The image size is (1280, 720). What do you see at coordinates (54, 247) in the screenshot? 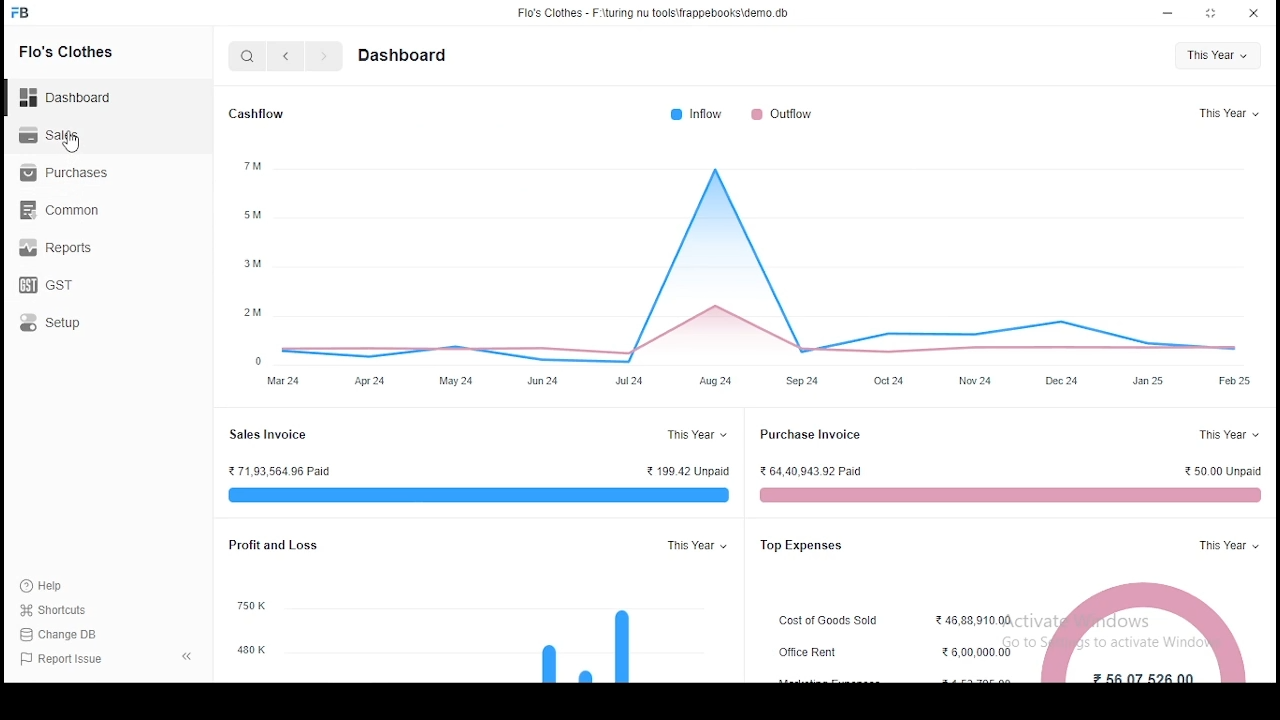
I see `reports` at bounding box center [54, 247].